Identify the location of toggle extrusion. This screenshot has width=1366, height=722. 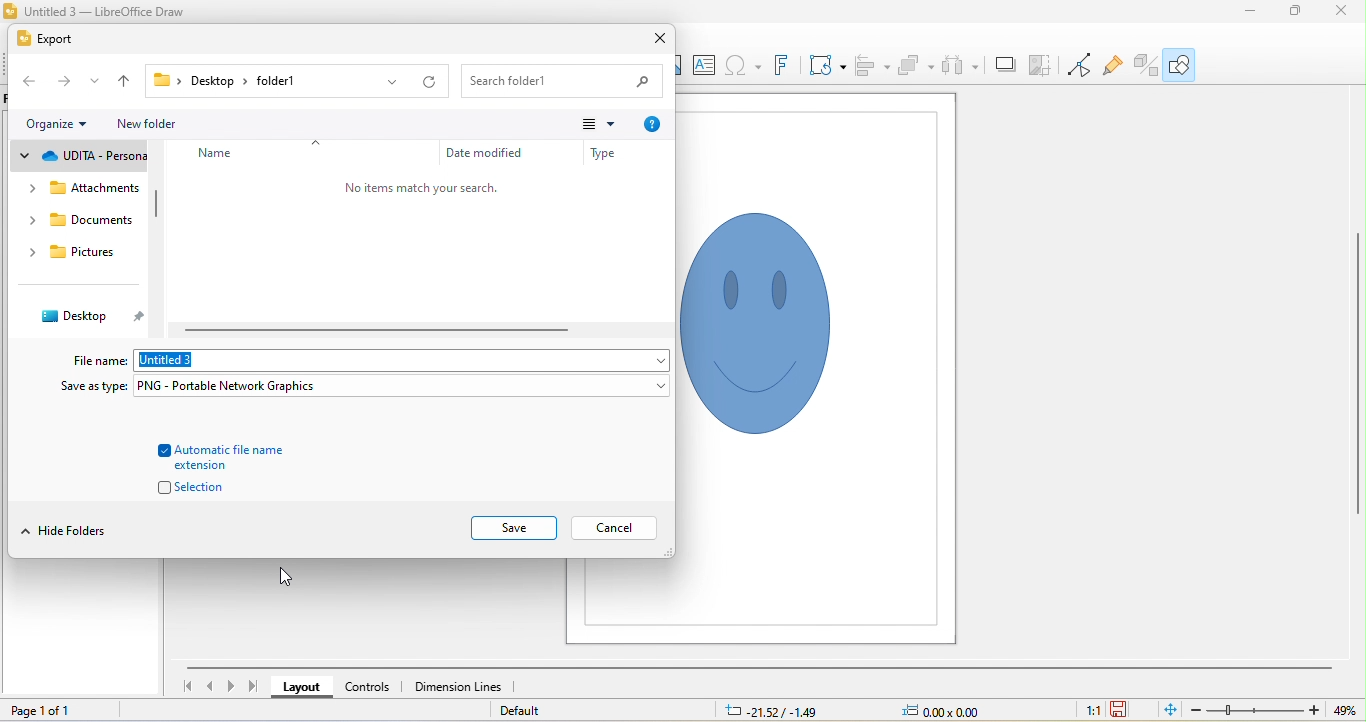
(1144, 67).